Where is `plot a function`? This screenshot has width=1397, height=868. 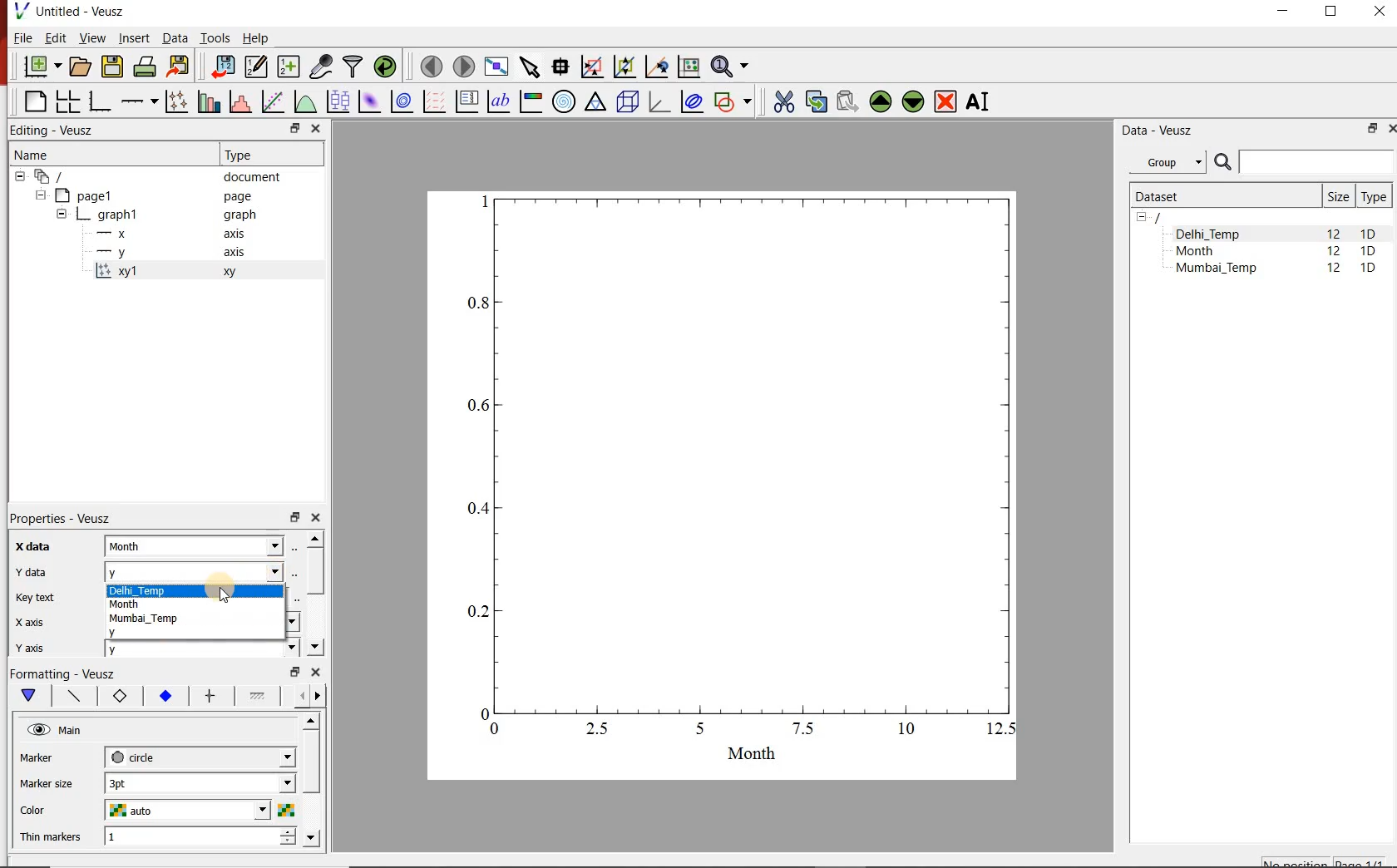
plot a function is located at coordinates (305, 101).